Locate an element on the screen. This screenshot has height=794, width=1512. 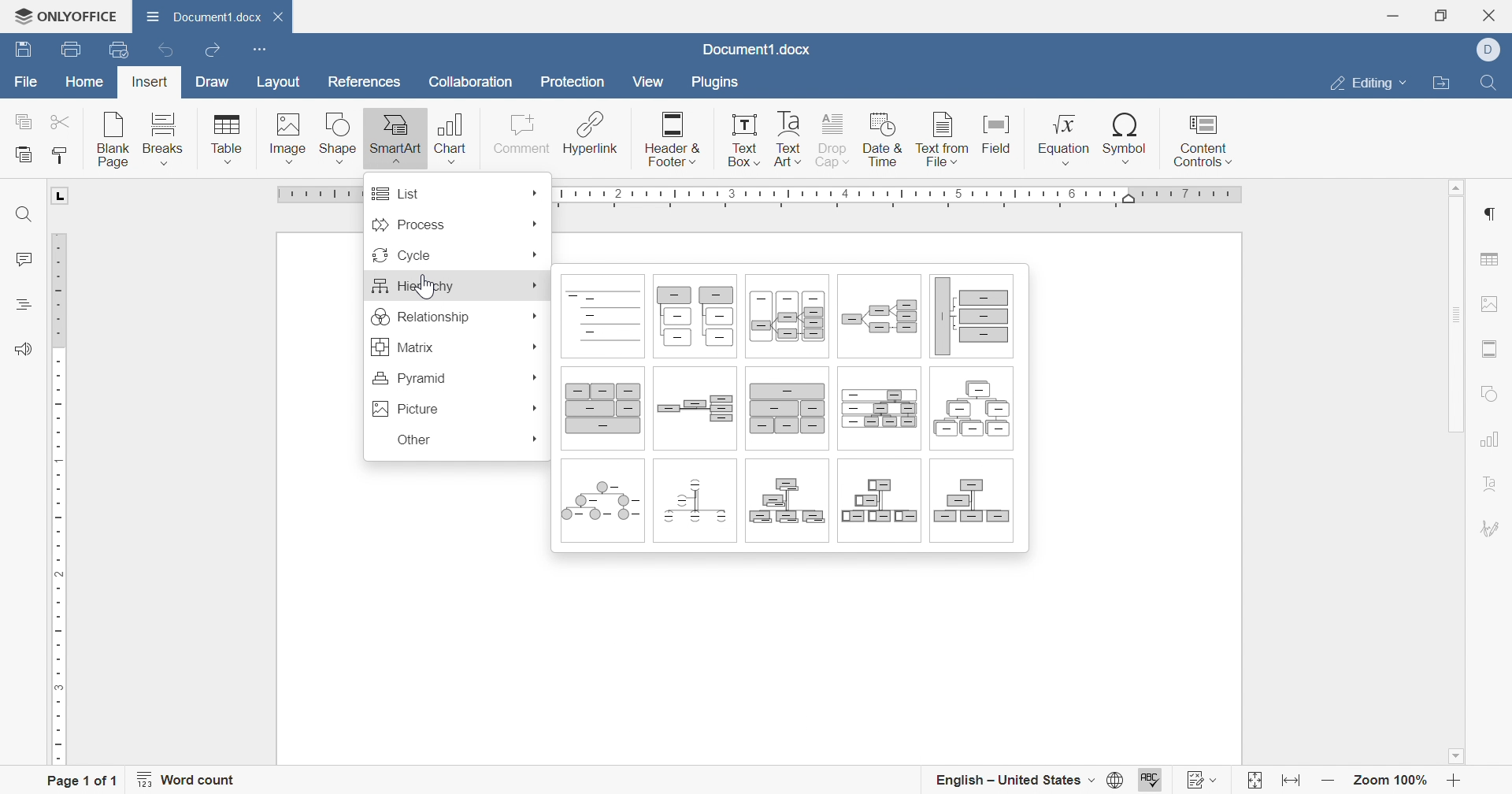
Zoom out is located at coordinates (1329, 781).